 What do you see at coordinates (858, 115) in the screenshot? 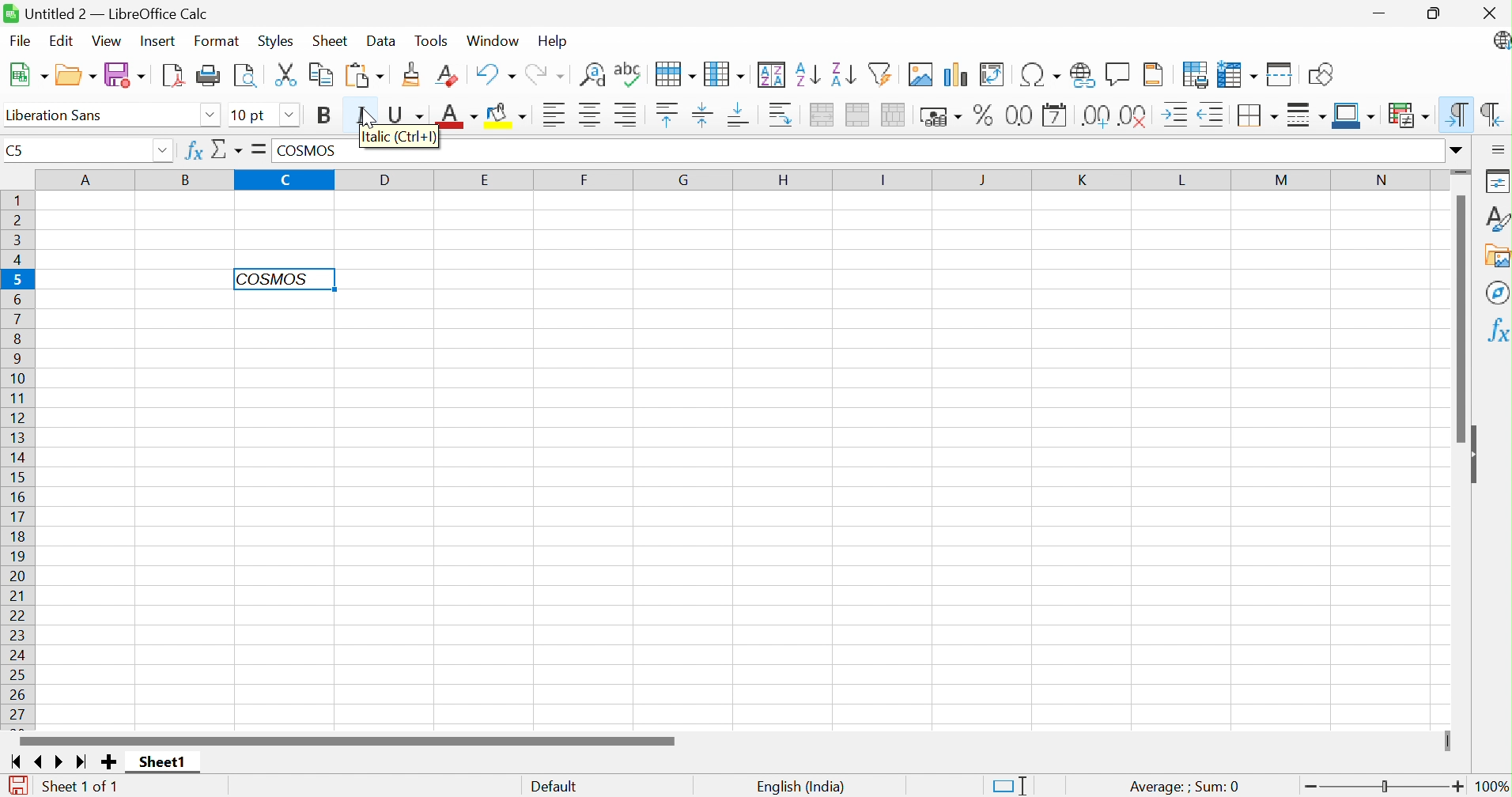
I see `Merge cells` at bounding box center [858, 115].